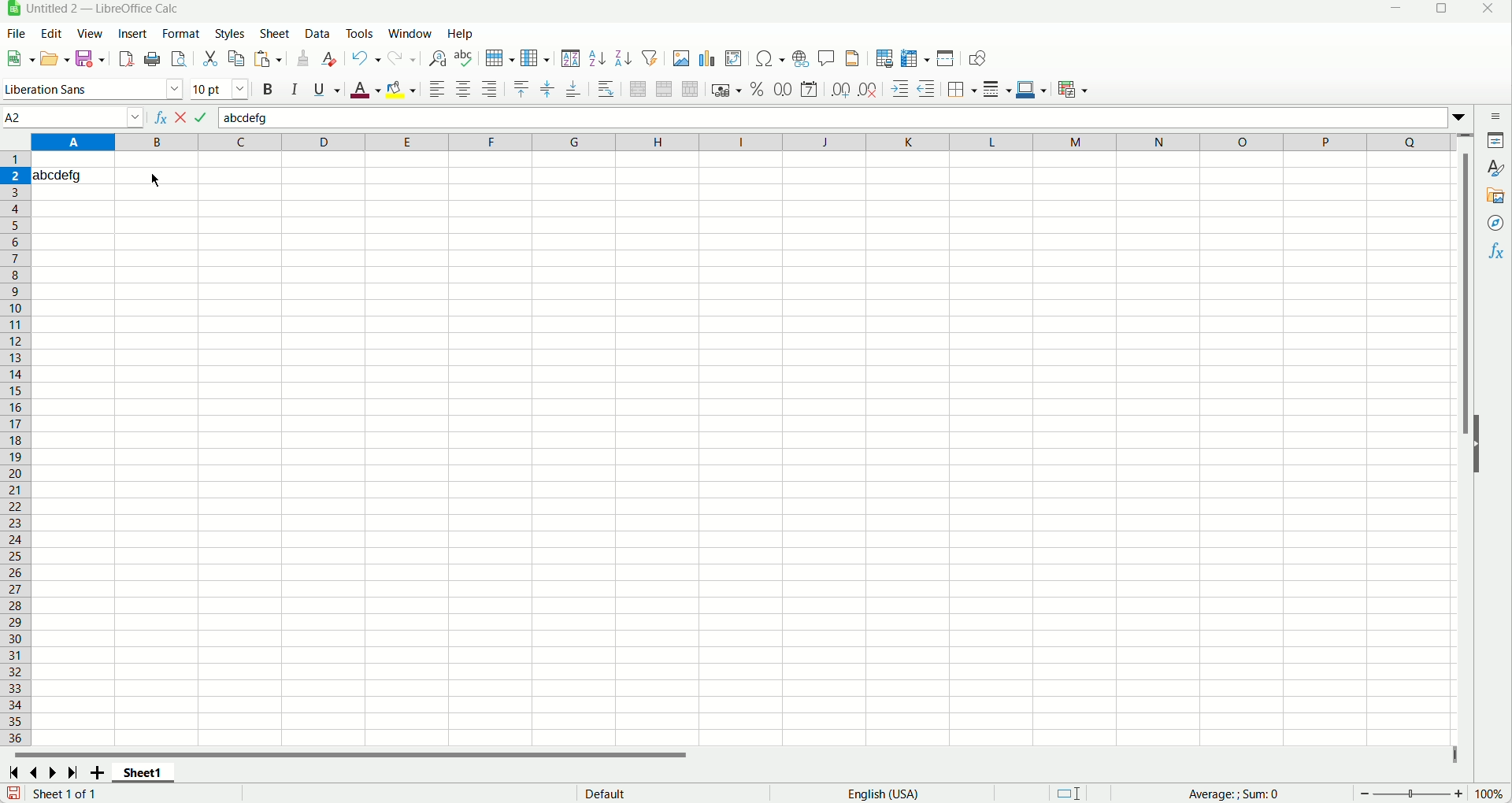  What do you see at coordinates (1073, 91) in the screenshot?
I see `conditional` at bounding box center [1073, 91].